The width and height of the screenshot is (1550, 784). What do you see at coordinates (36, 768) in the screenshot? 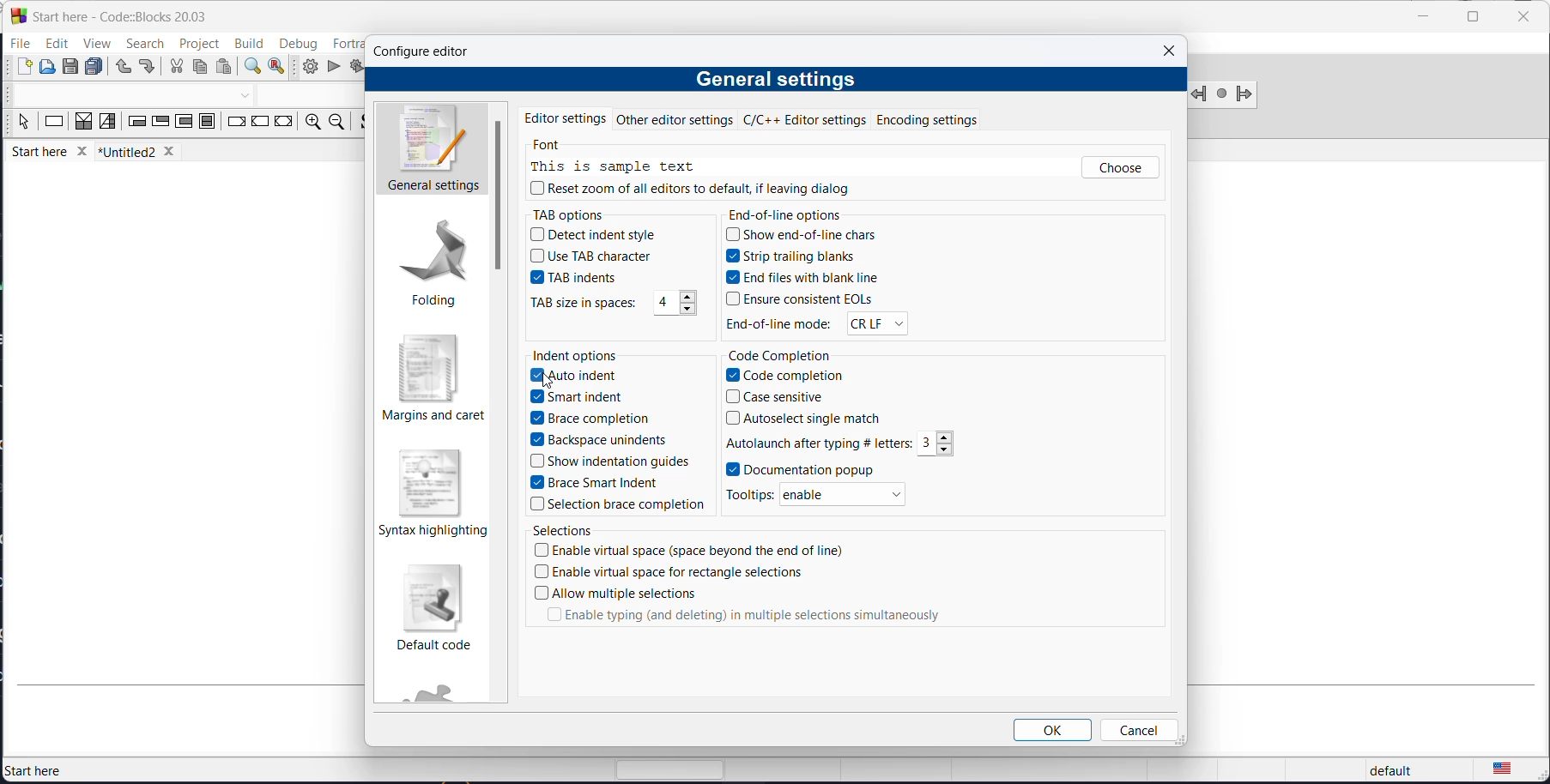
I see `start here` at bounding box center [36, 768].